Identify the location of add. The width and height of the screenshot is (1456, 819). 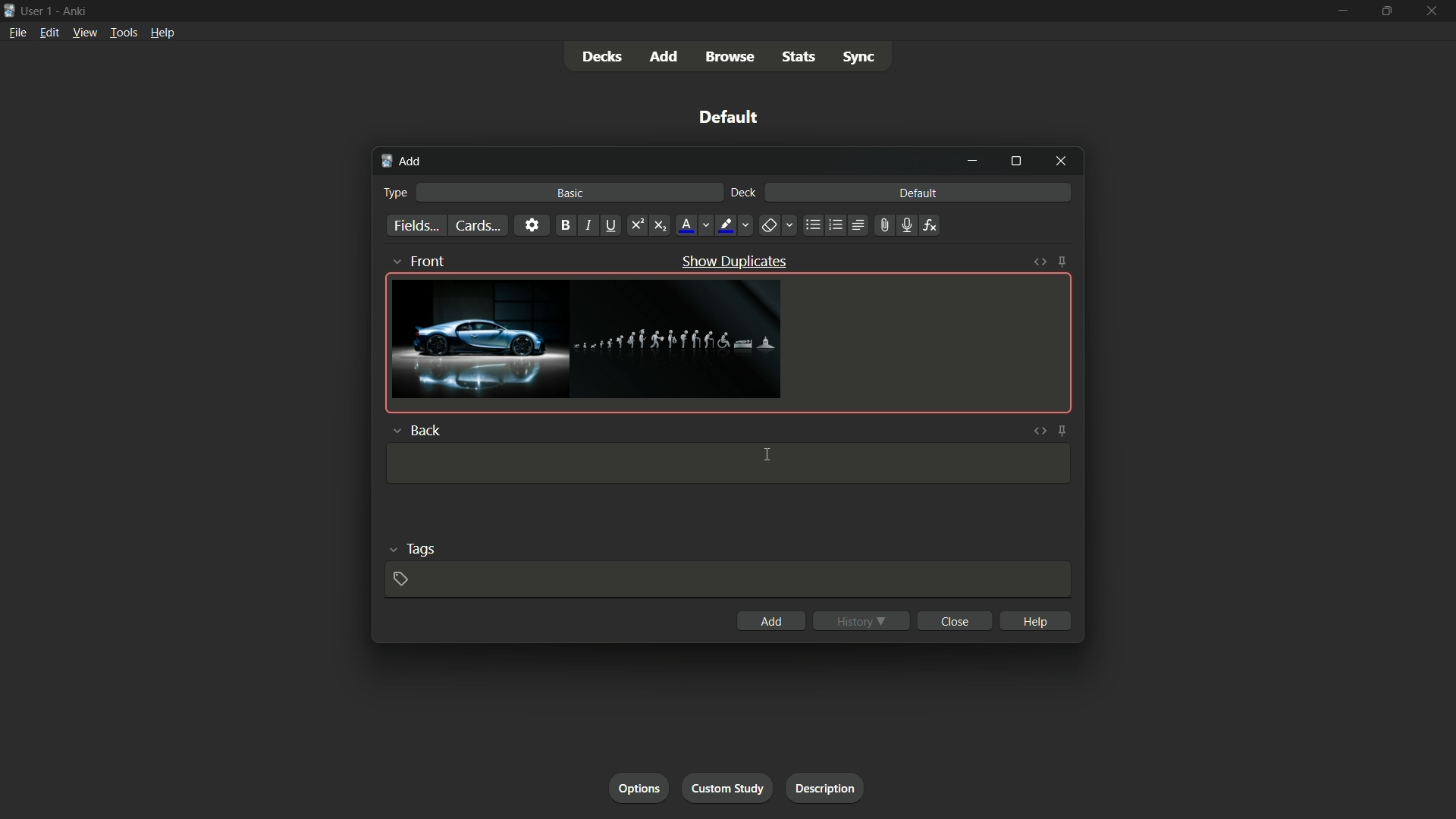
(770, 620).